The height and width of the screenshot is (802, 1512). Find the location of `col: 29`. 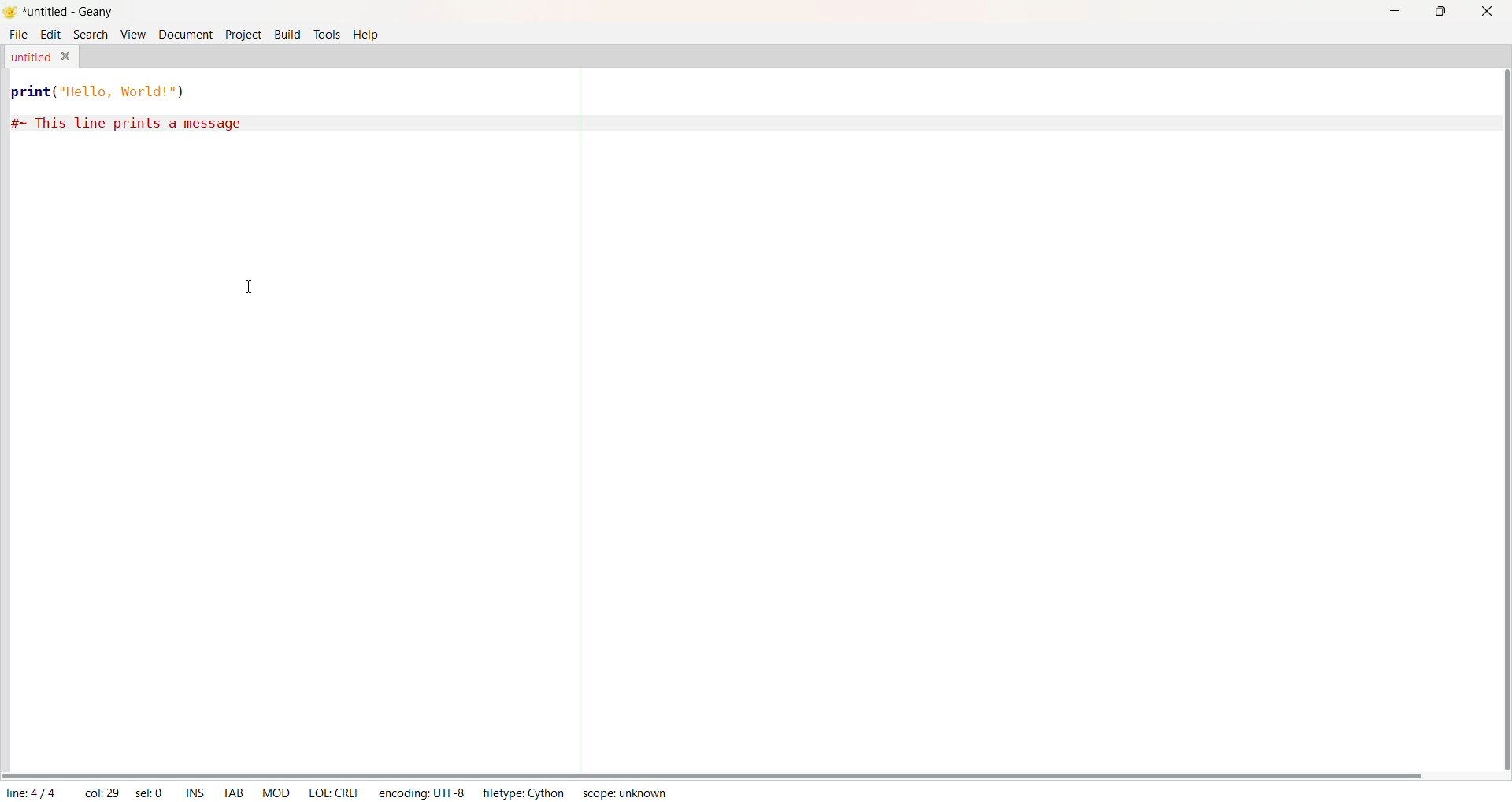

col: 29 is located at coordinates (100, 790).